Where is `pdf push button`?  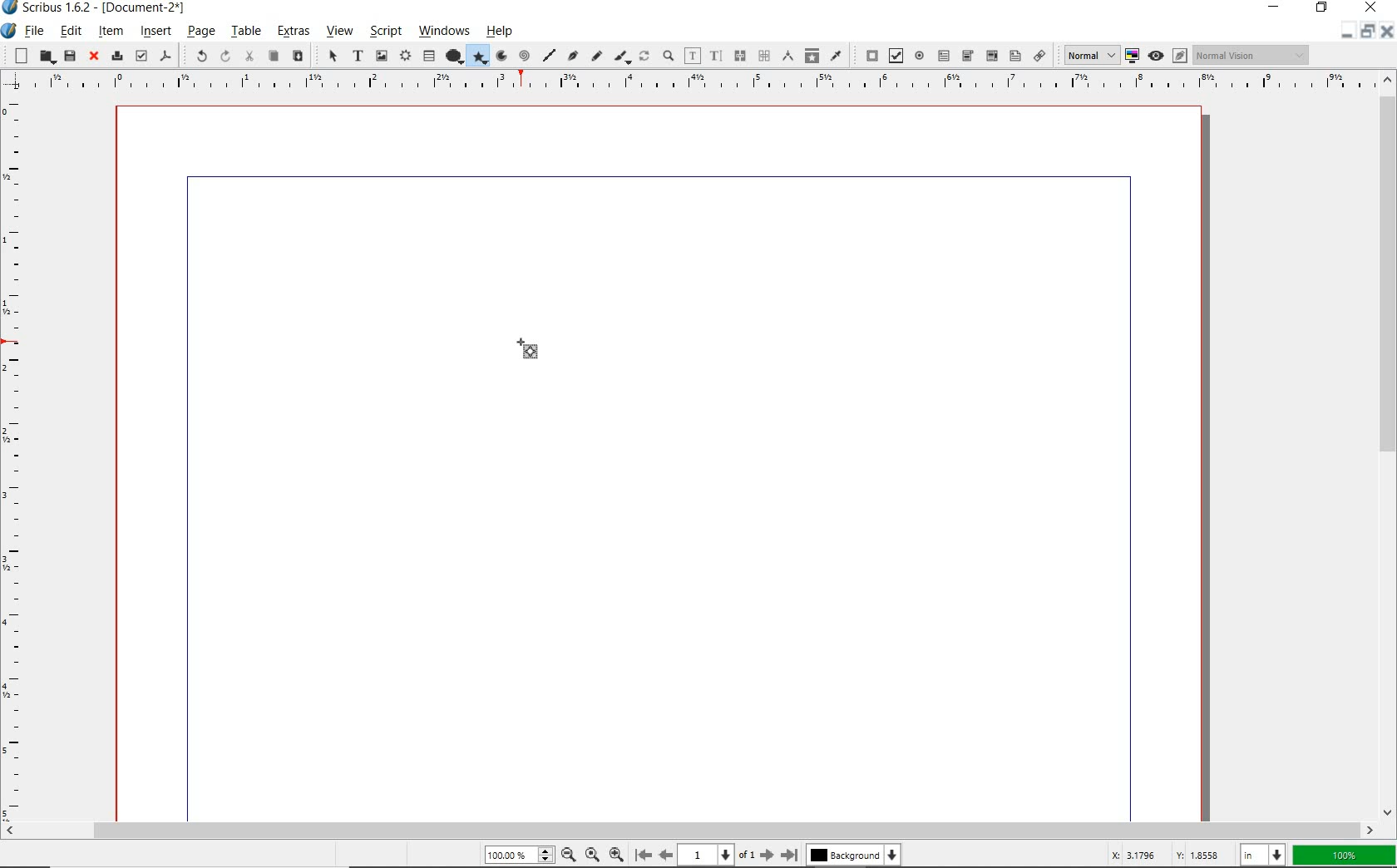 pdf push button is located at coordinates (868, 55).